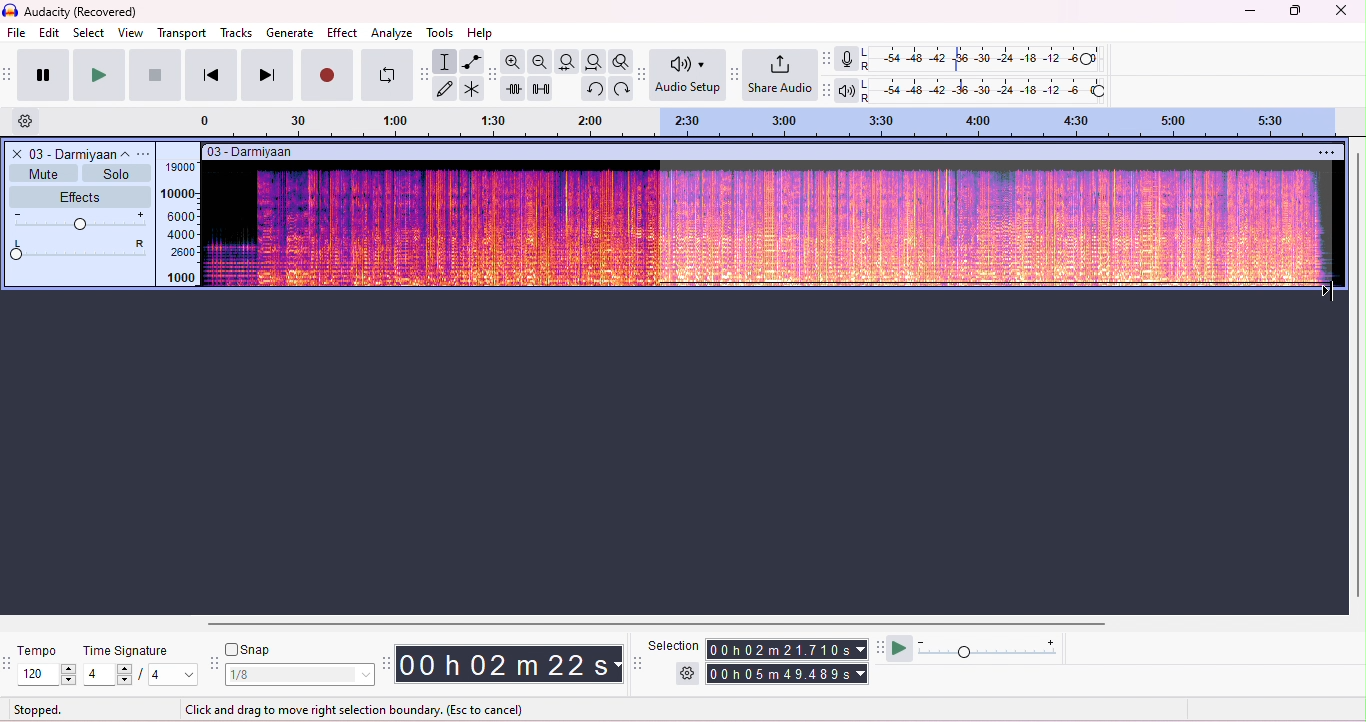 The height and width of the screenshot is (722, 1366). Describe the element at coordinates (515, 62) in the screenshot. I see `zoom in` at that location.